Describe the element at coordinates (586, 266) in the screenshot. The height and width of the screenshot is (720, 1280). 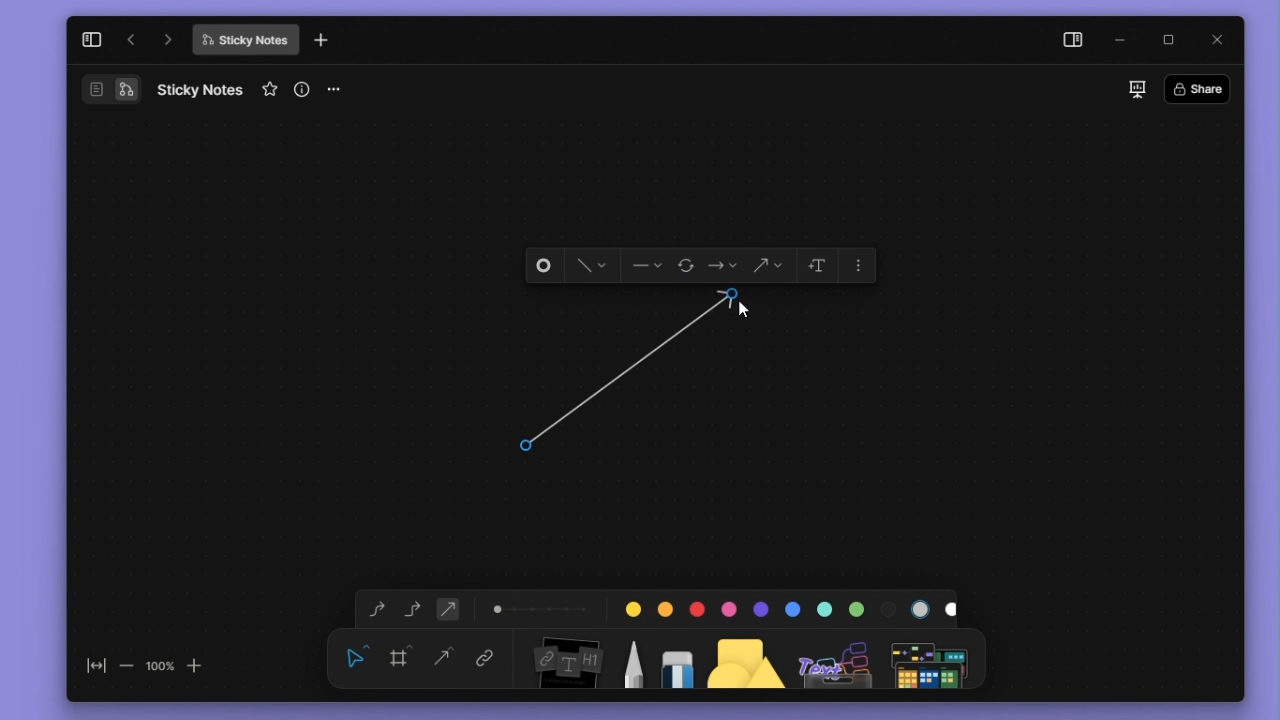
I see `style` at that location.